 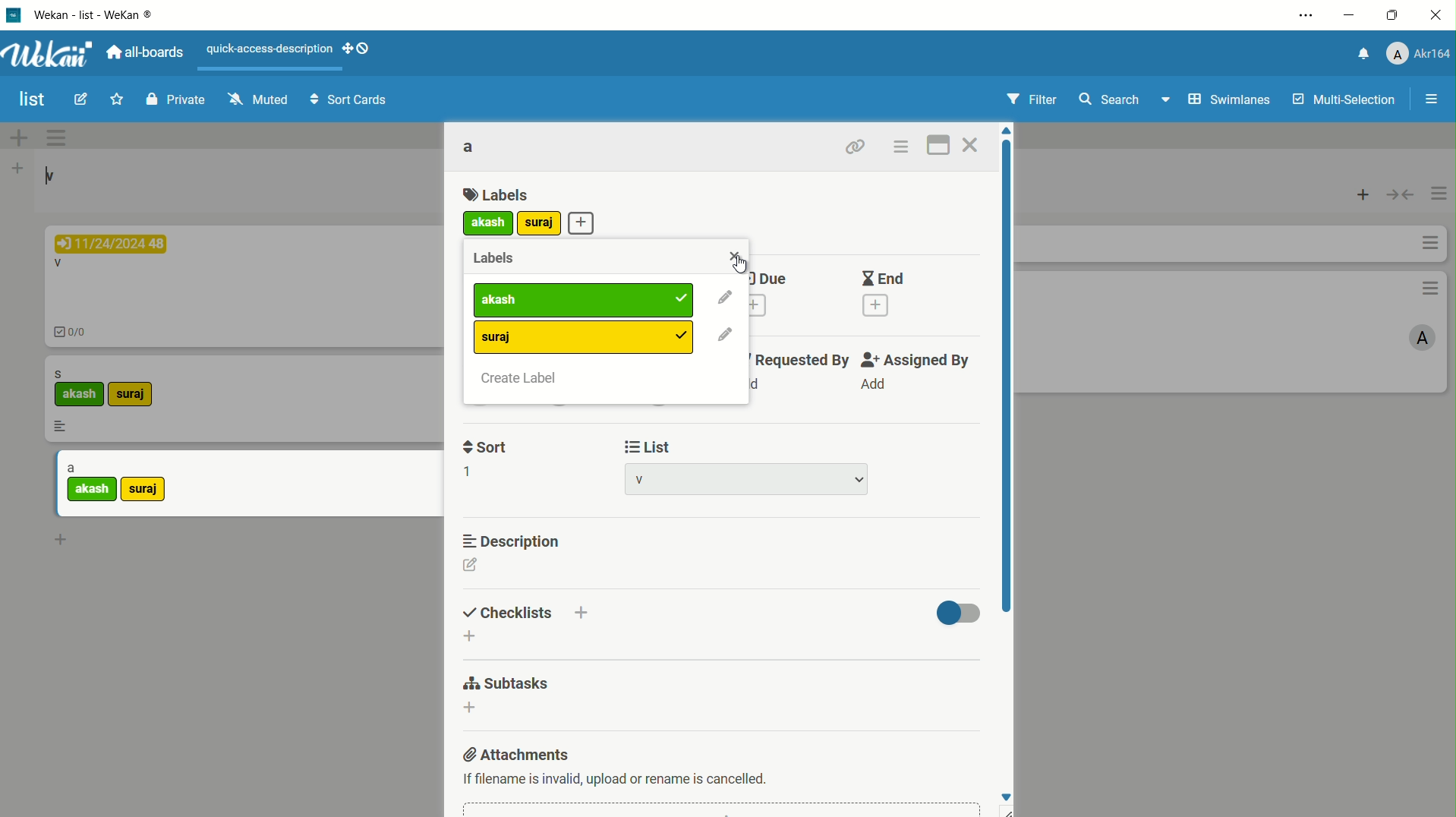 What do you see at coordinates (131, 394) in the screenshot?
I see `suraj` at bounding box center [131, 394].